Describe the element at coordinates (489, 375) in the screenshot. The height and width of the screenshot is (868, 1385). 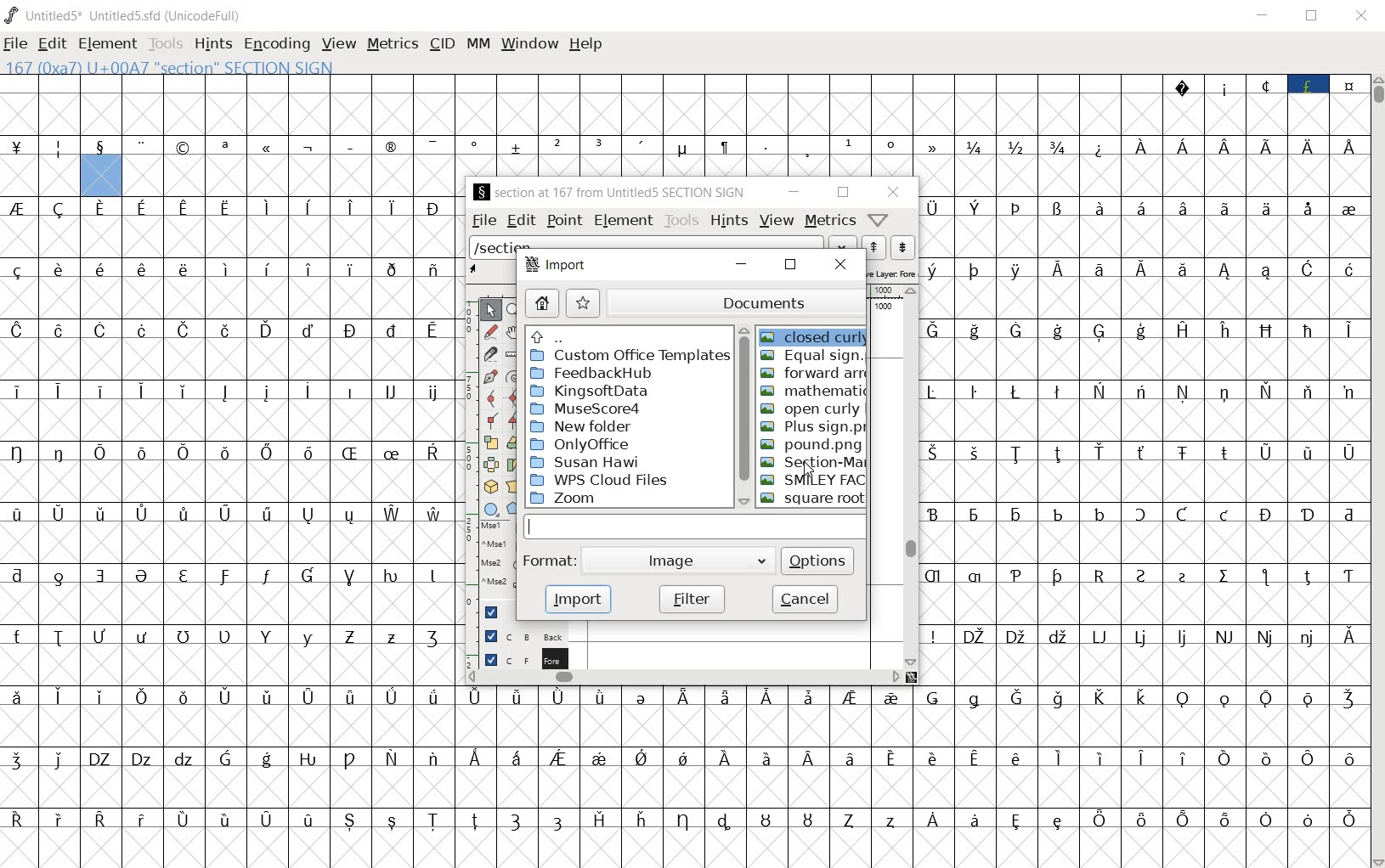
I see `add a point, then drag out its control points` at that location.